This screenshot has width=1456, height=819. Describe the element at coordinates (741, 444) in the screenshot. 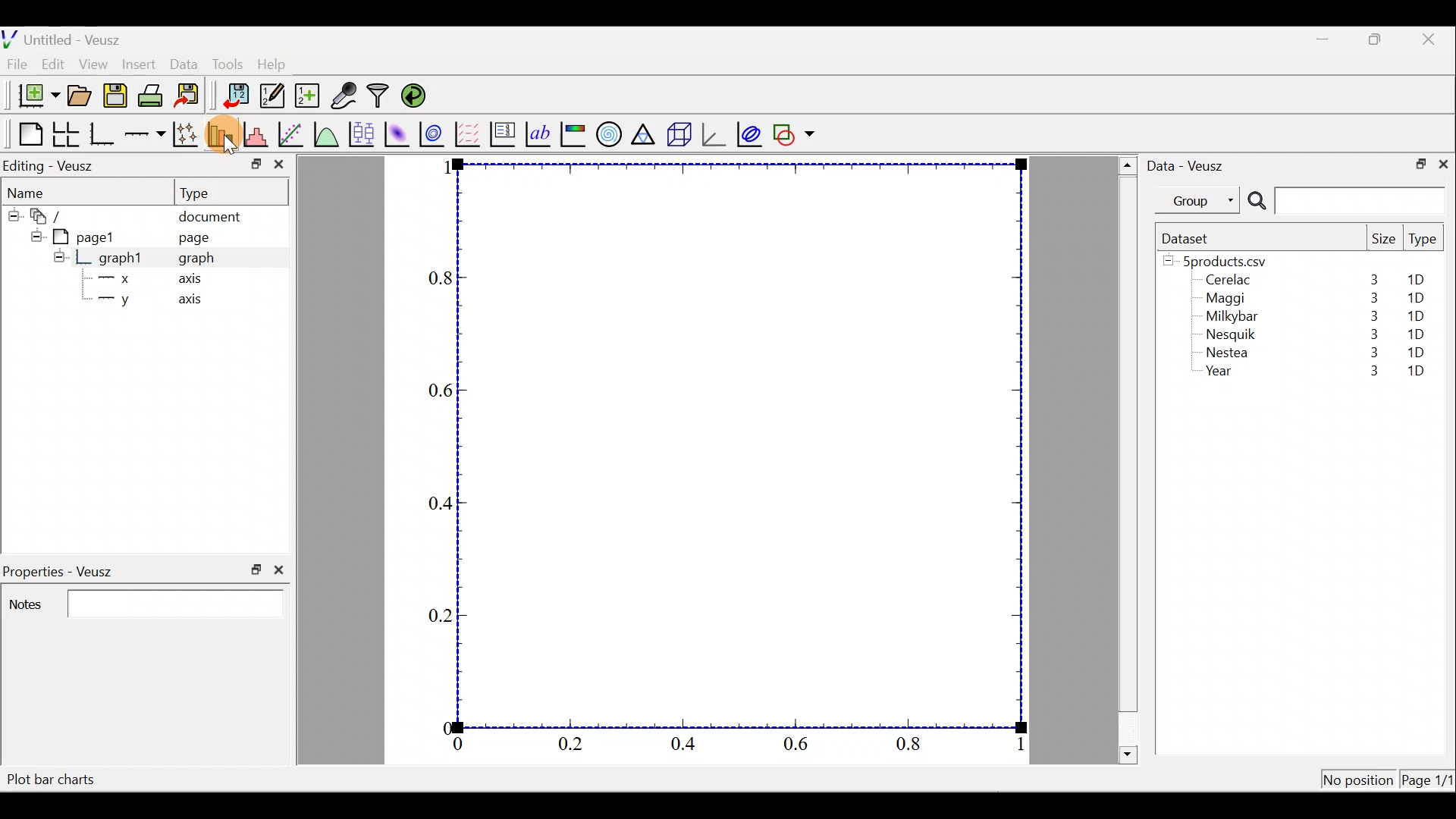

I see `graph plot area` at that location.